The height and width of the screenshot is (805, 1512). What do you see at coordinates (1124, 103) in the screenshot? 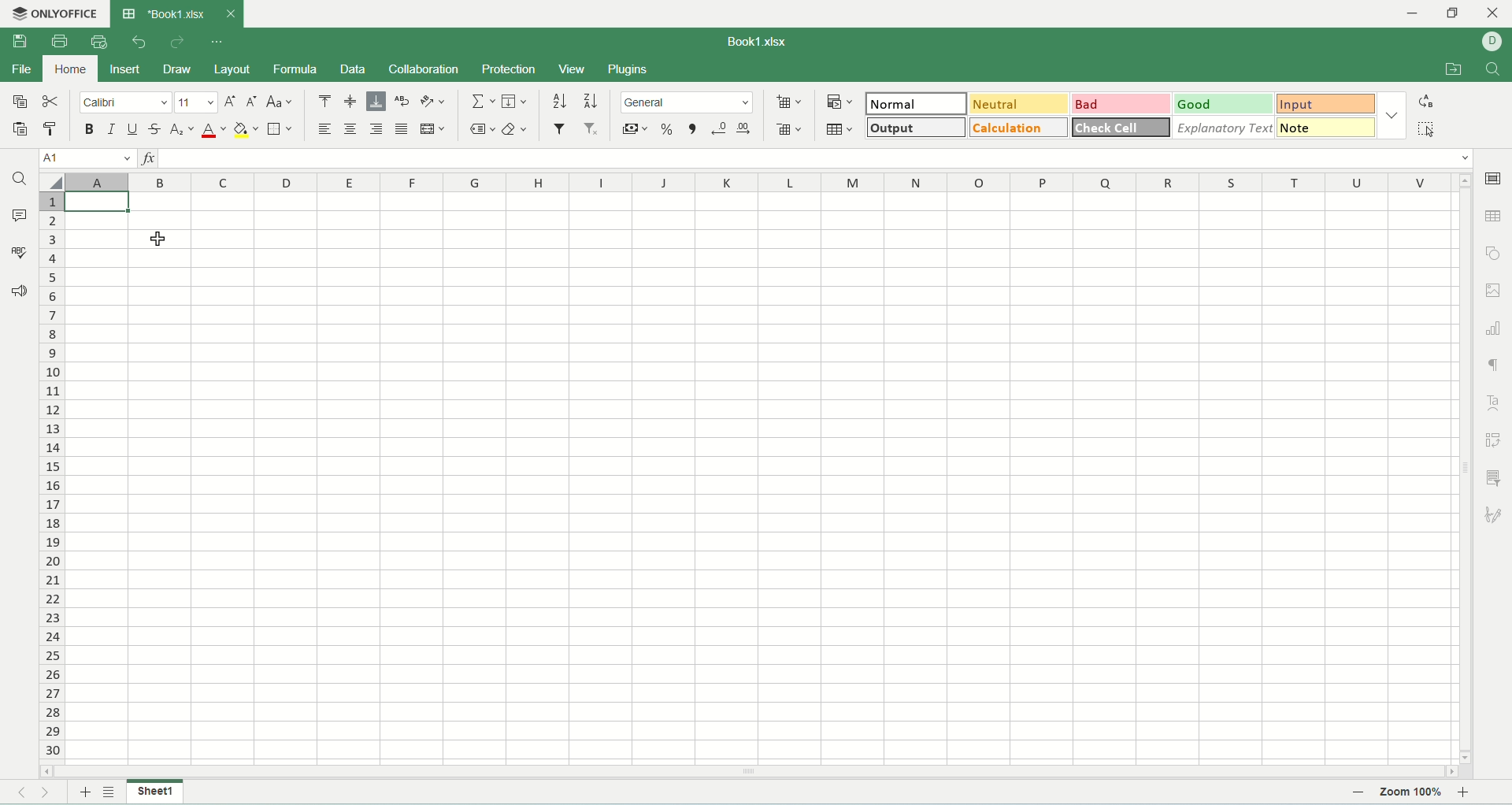
I see `bad` at bounding box center [1124, 103].